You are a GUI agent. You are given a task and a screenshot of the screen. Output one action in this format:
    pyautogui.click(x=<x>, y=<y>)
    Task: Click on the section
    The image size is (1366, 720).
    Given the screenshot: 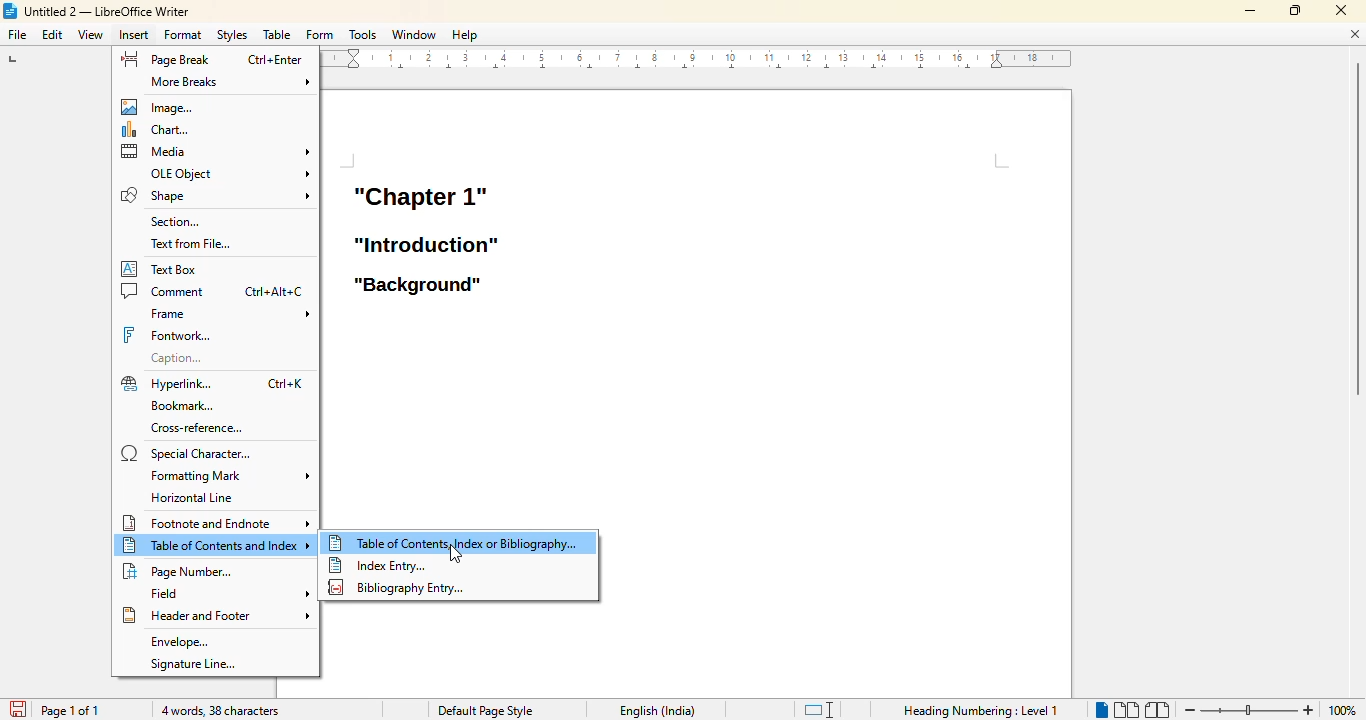 What is the action you would take?
    pyautogui.click(x=174, y=221)
    